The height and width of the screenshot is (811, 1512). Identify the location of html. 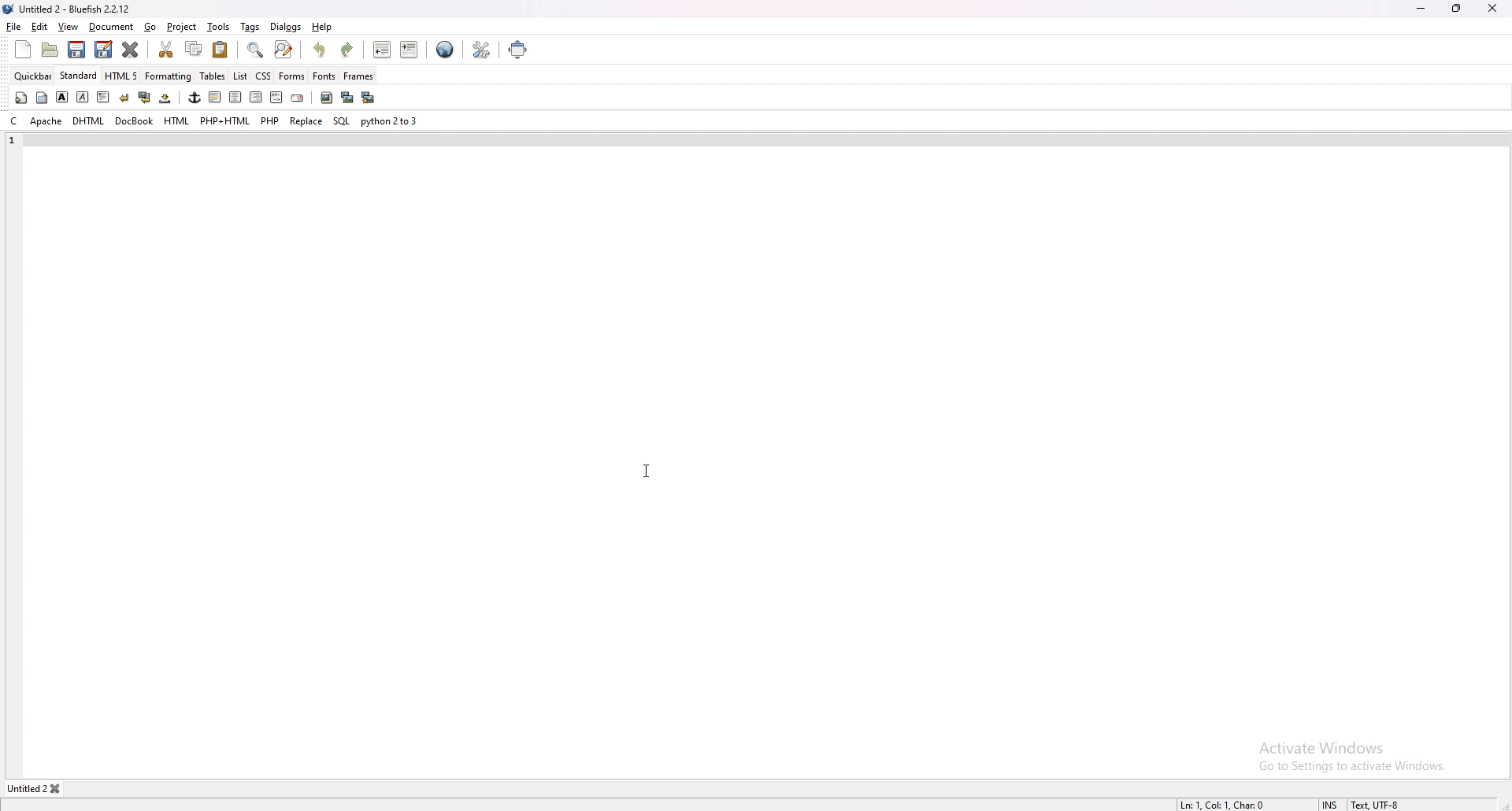
(176, 122).